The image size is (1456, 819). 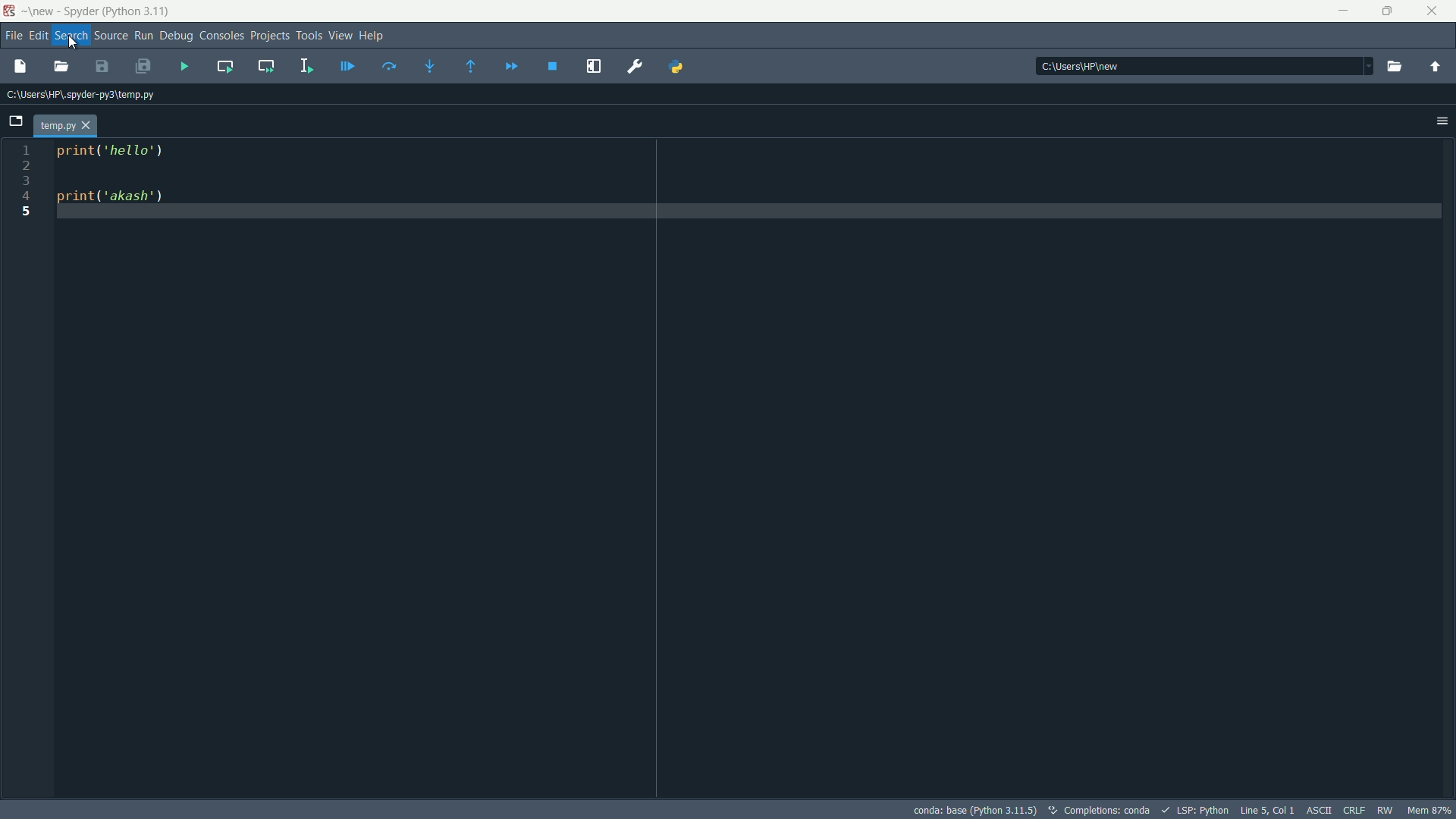 What do you see at coordinates (1434, 67) in the screenshot?
I see `parent directory` at bounding box center [1434, 67].